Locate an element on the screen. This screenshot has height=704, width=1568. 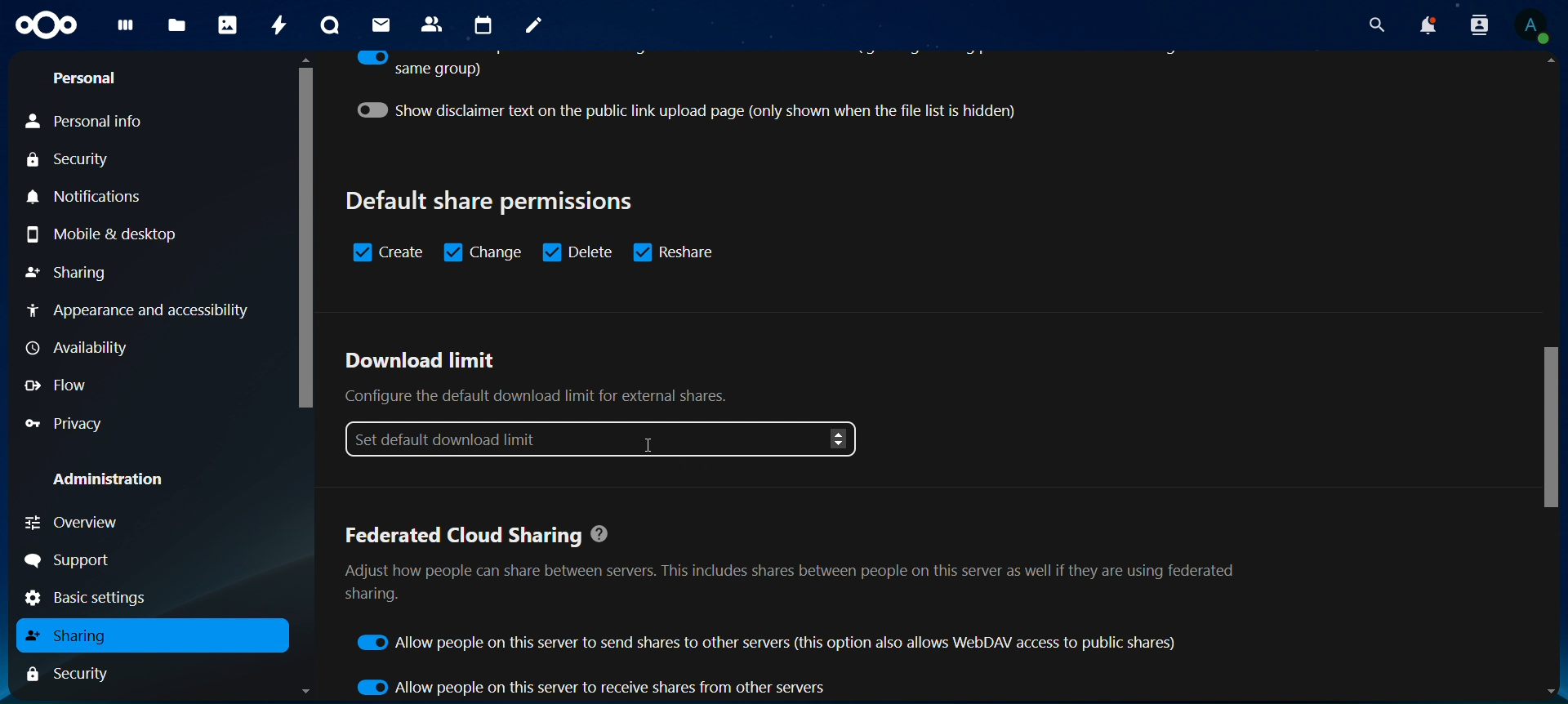
allow people on this server to send shares to other servers  is located at coordinates (771, 643).